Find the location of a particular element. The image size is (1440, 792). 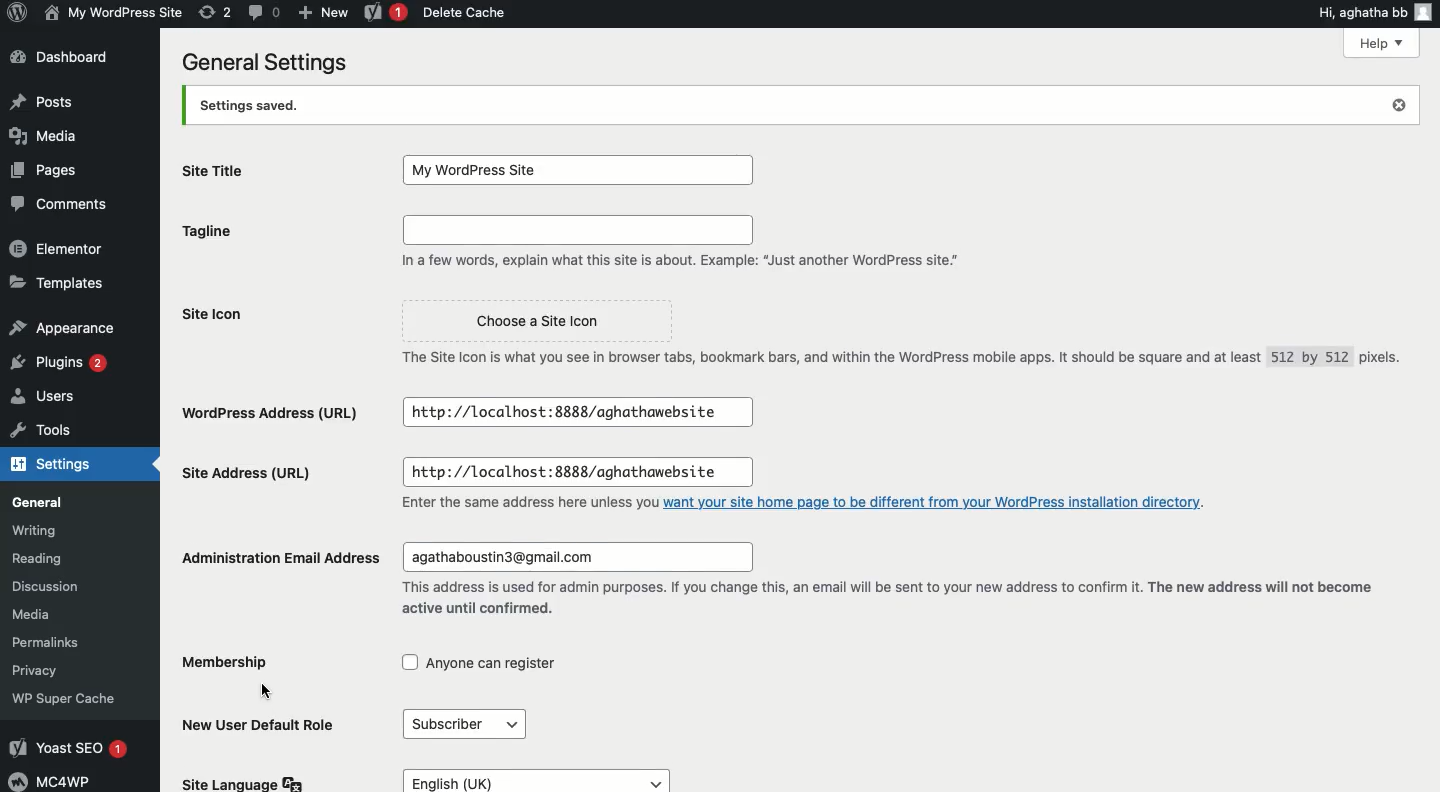

Templates is located at coordinates (60, 282).